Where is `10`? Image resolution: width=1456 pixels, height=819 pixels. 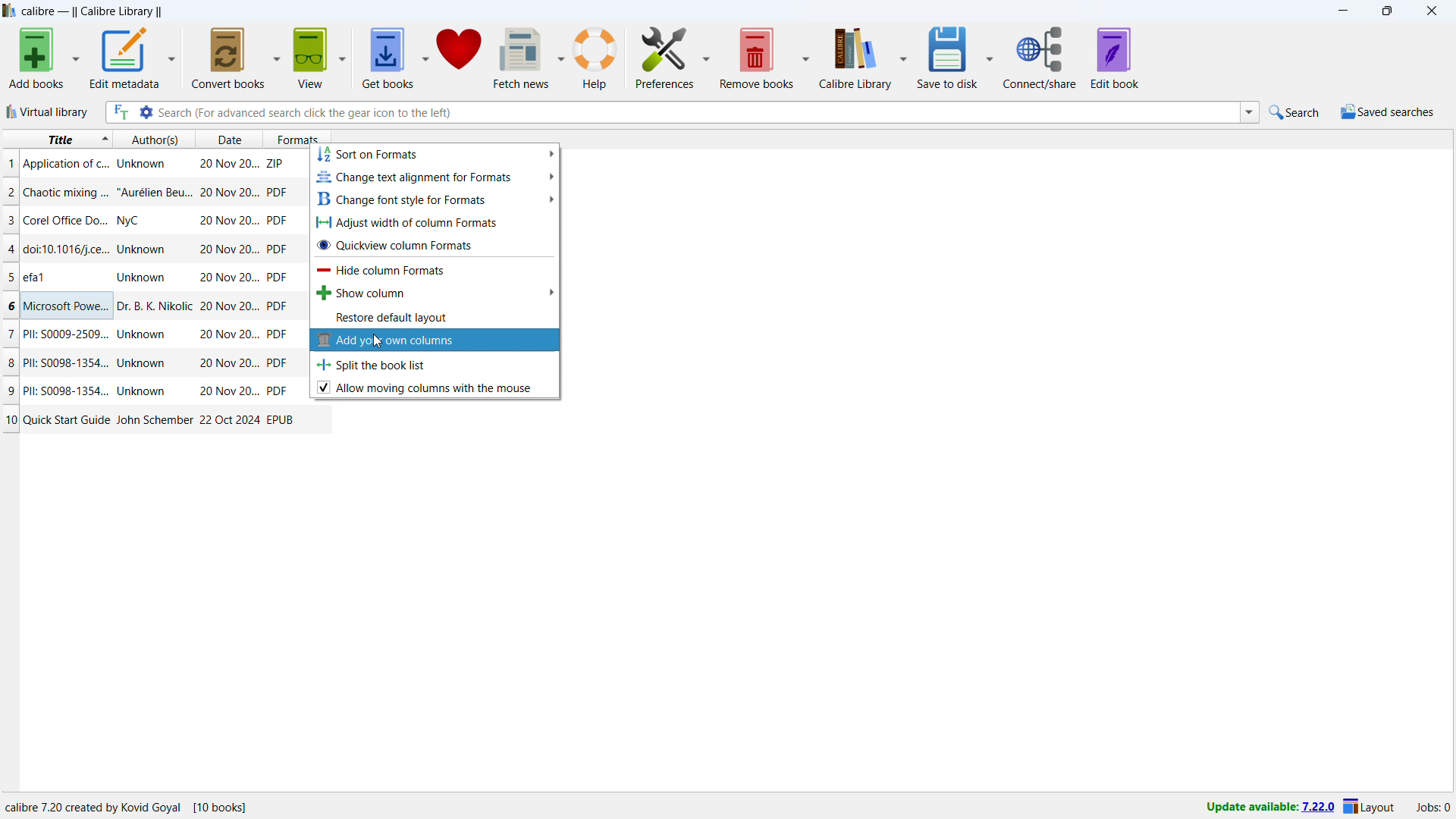
10 is located at coordinates (10, 420).